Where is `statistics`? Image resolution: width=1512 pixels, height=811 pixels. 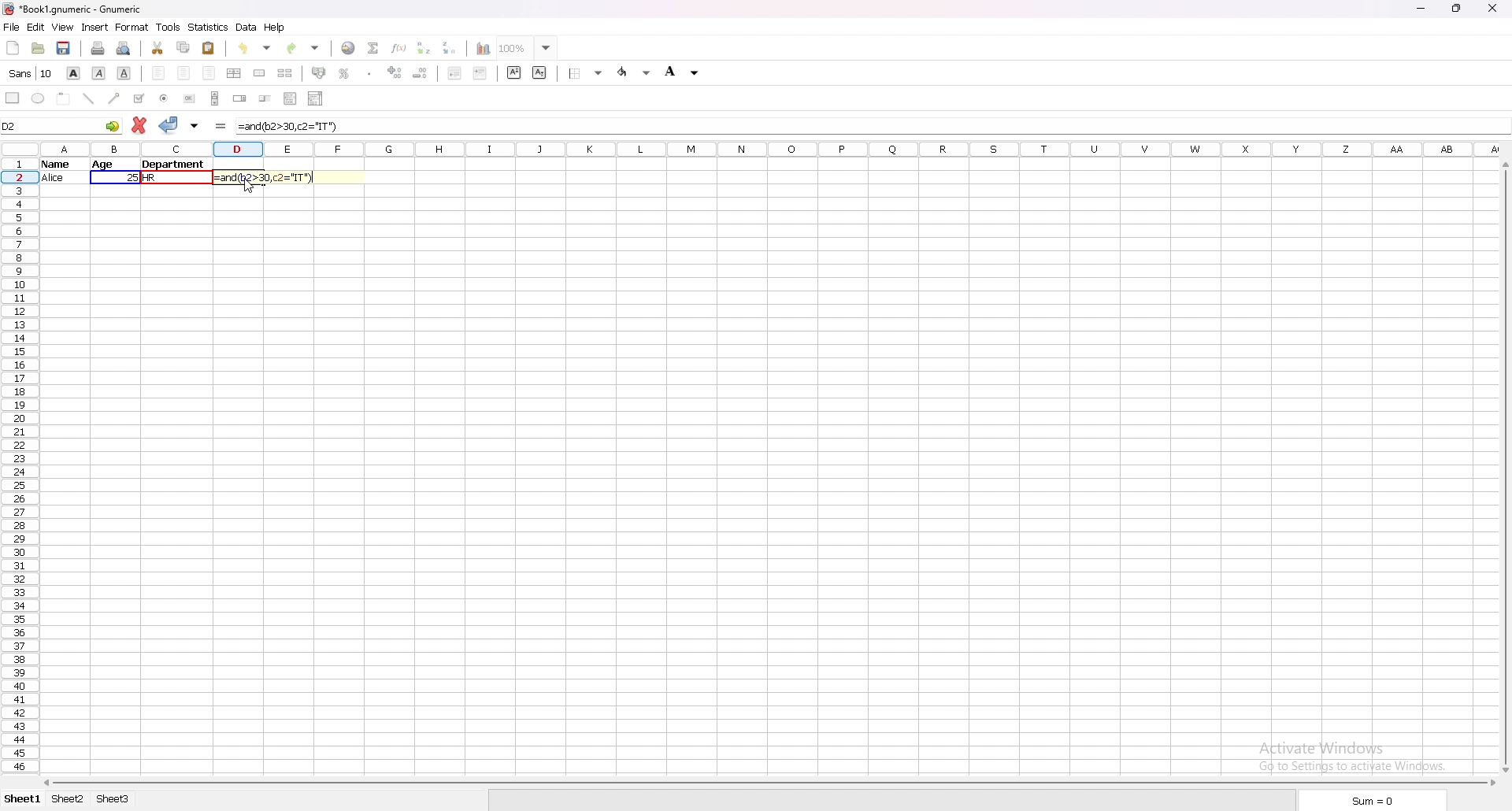 statistics is located at coordinates (209, 28).